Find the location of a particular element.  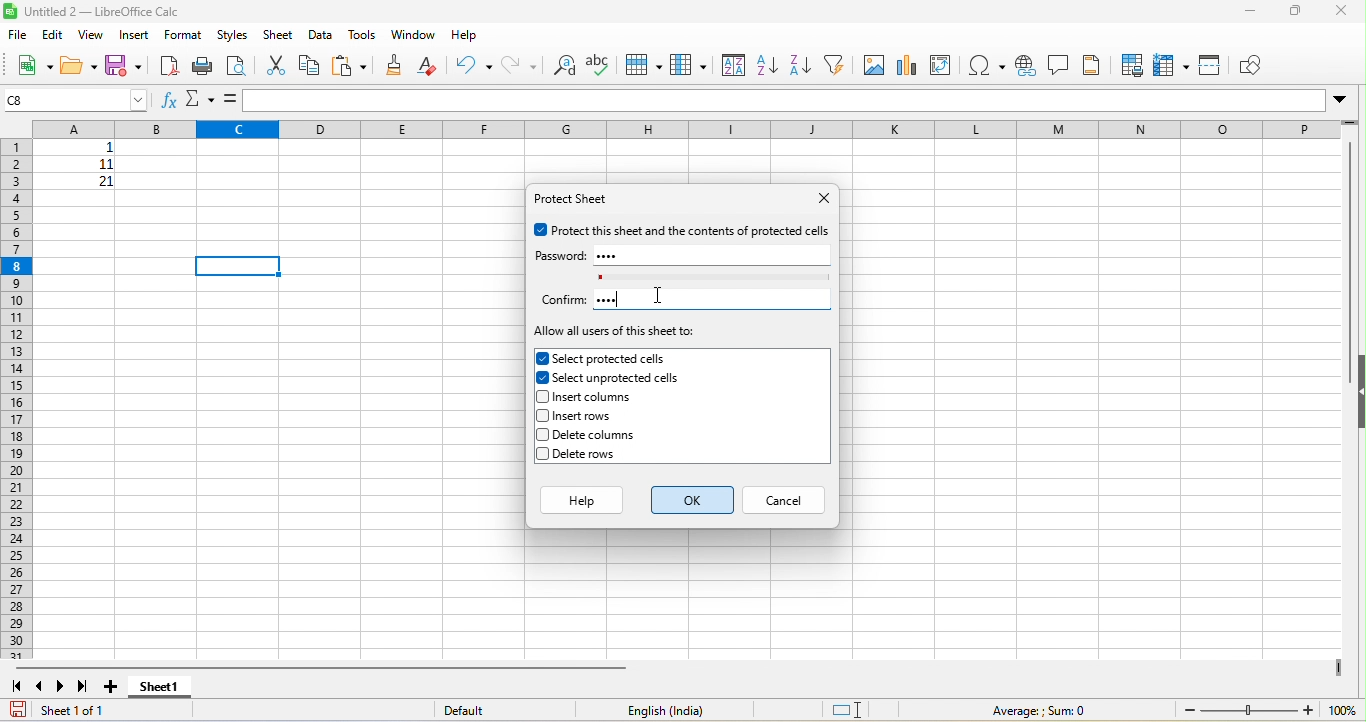

english is located at coordinates (678, 710).